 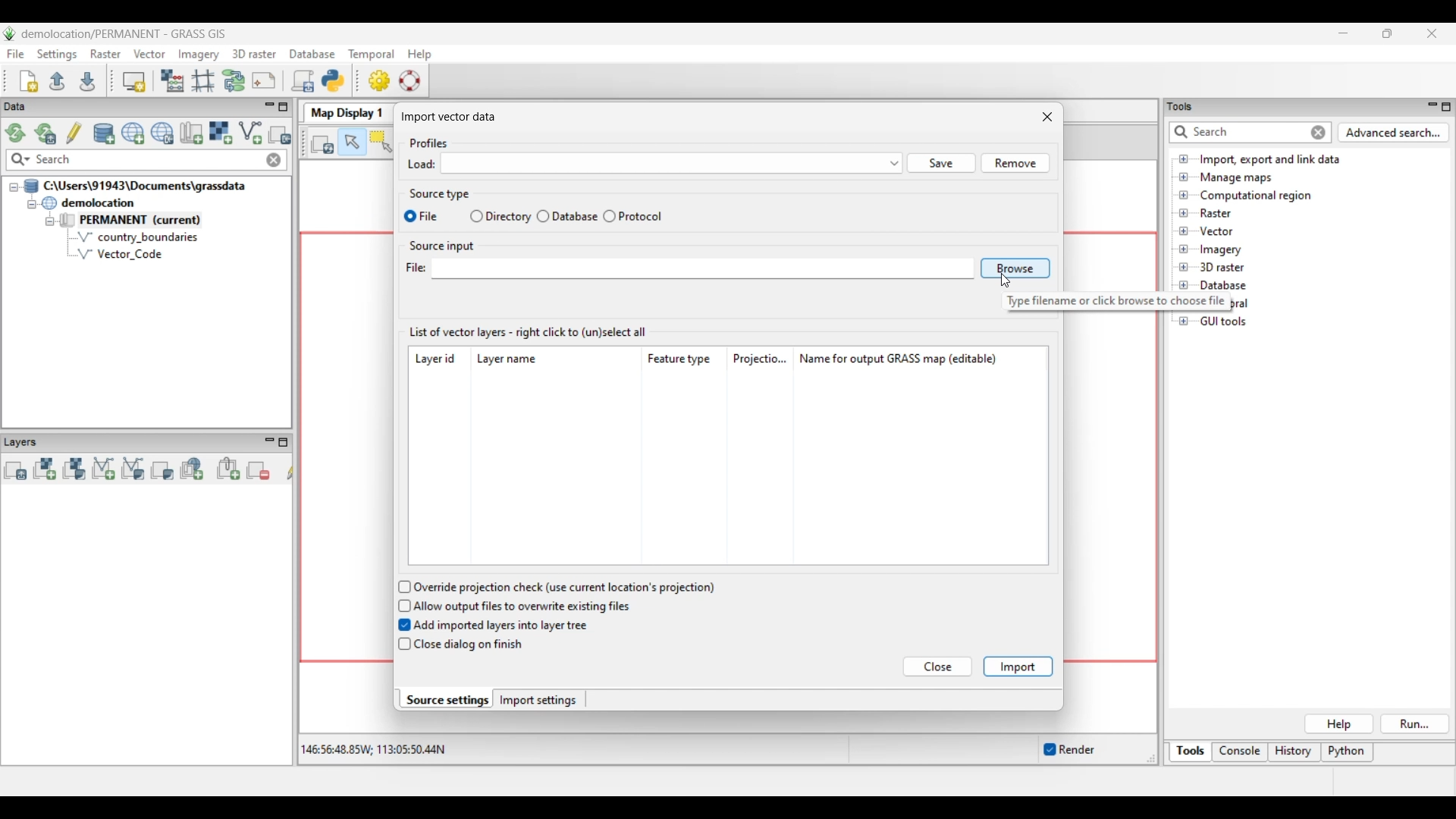 I want to click on Python, so click(x=1348, y=753).